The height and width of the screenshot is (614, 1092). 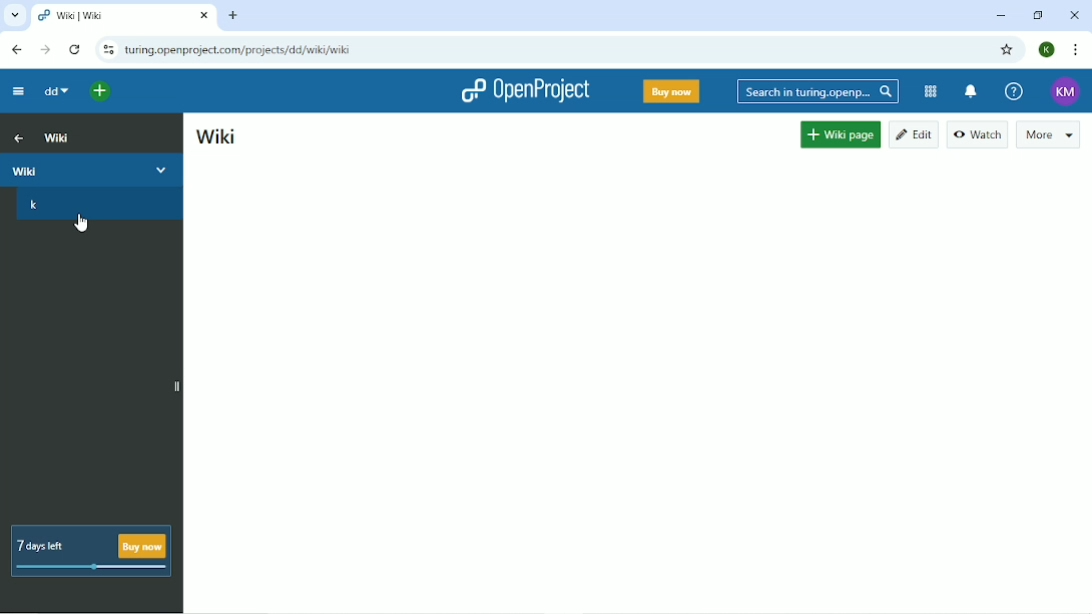 I want to click on Wiki page, so click(x=836, y=134).